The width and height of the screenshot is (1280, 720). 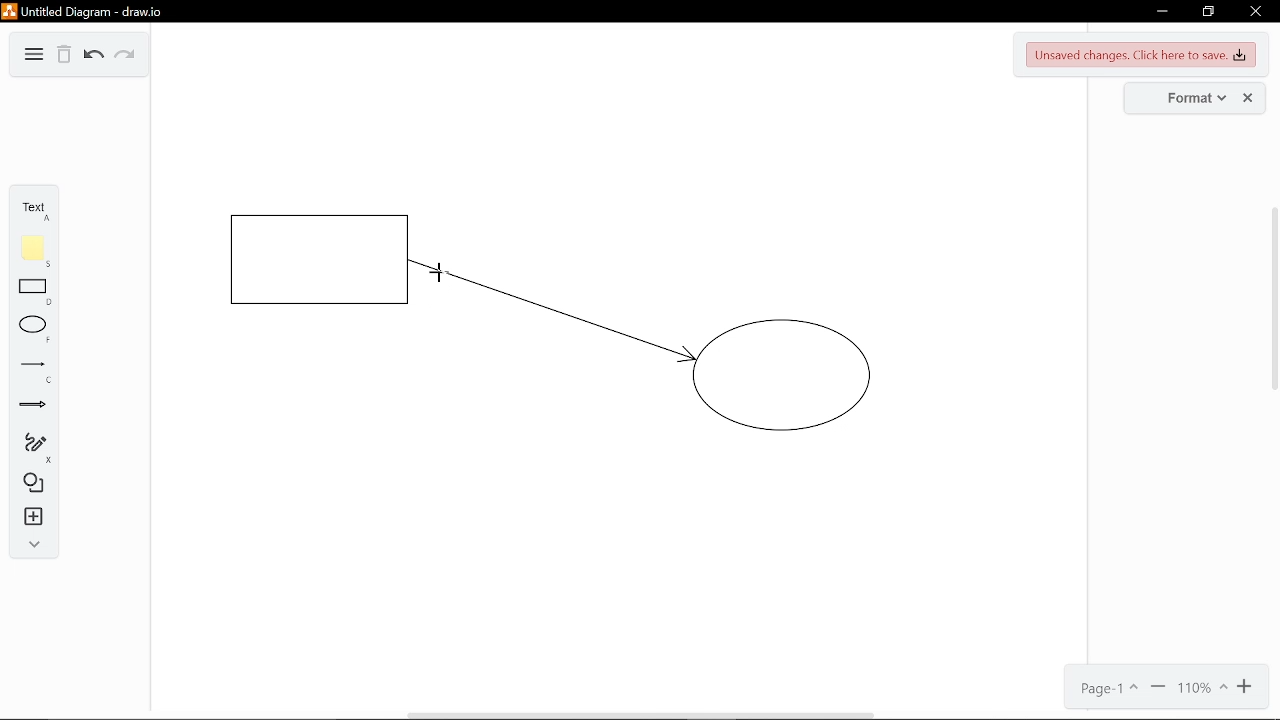 I want to click on Page 1(Current page), so click(x=1111, y=689).